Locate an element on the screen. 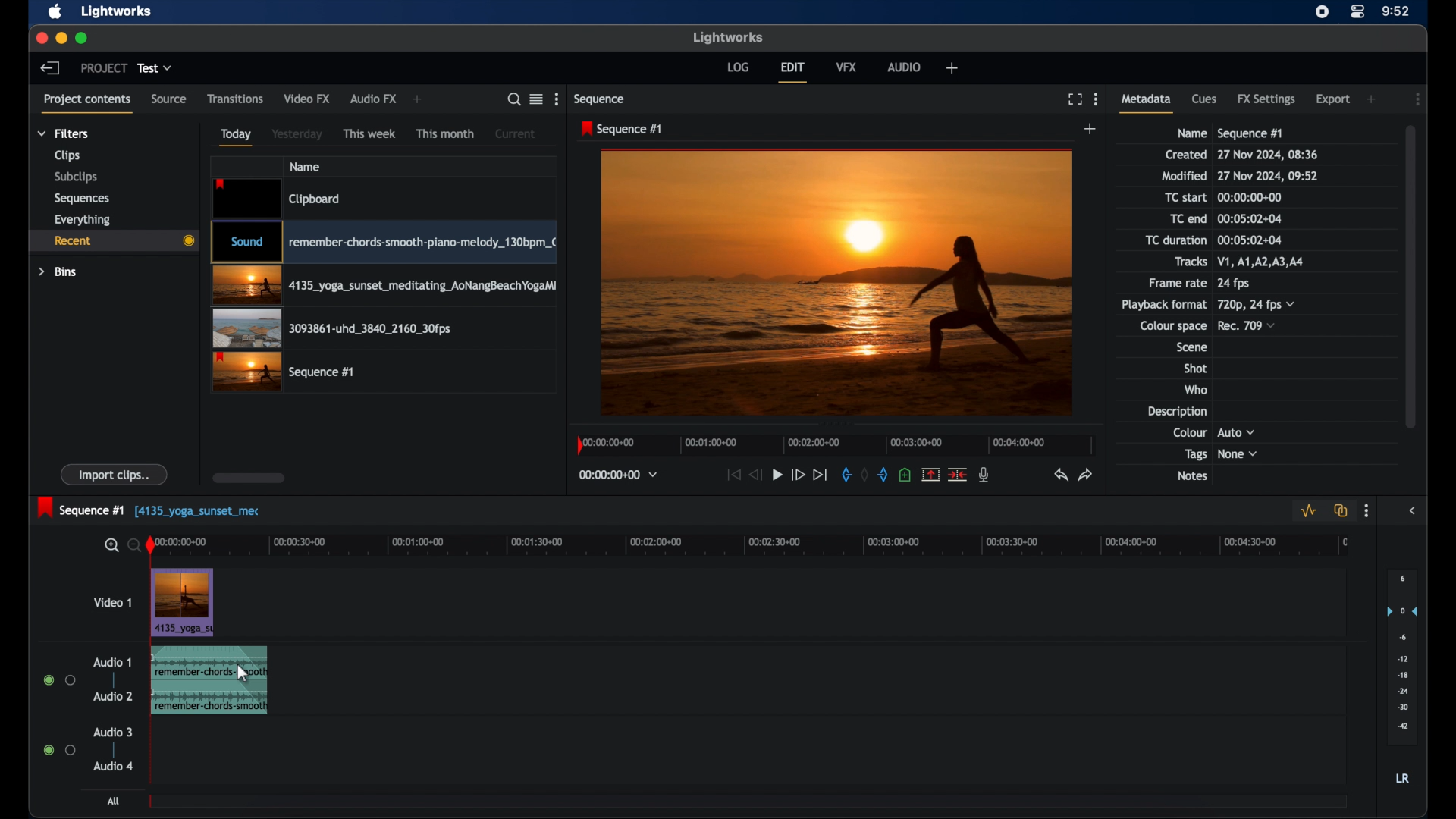 The height and width of the screenshot is (819, 1456). tracks is located at coordinates (1191, 262).